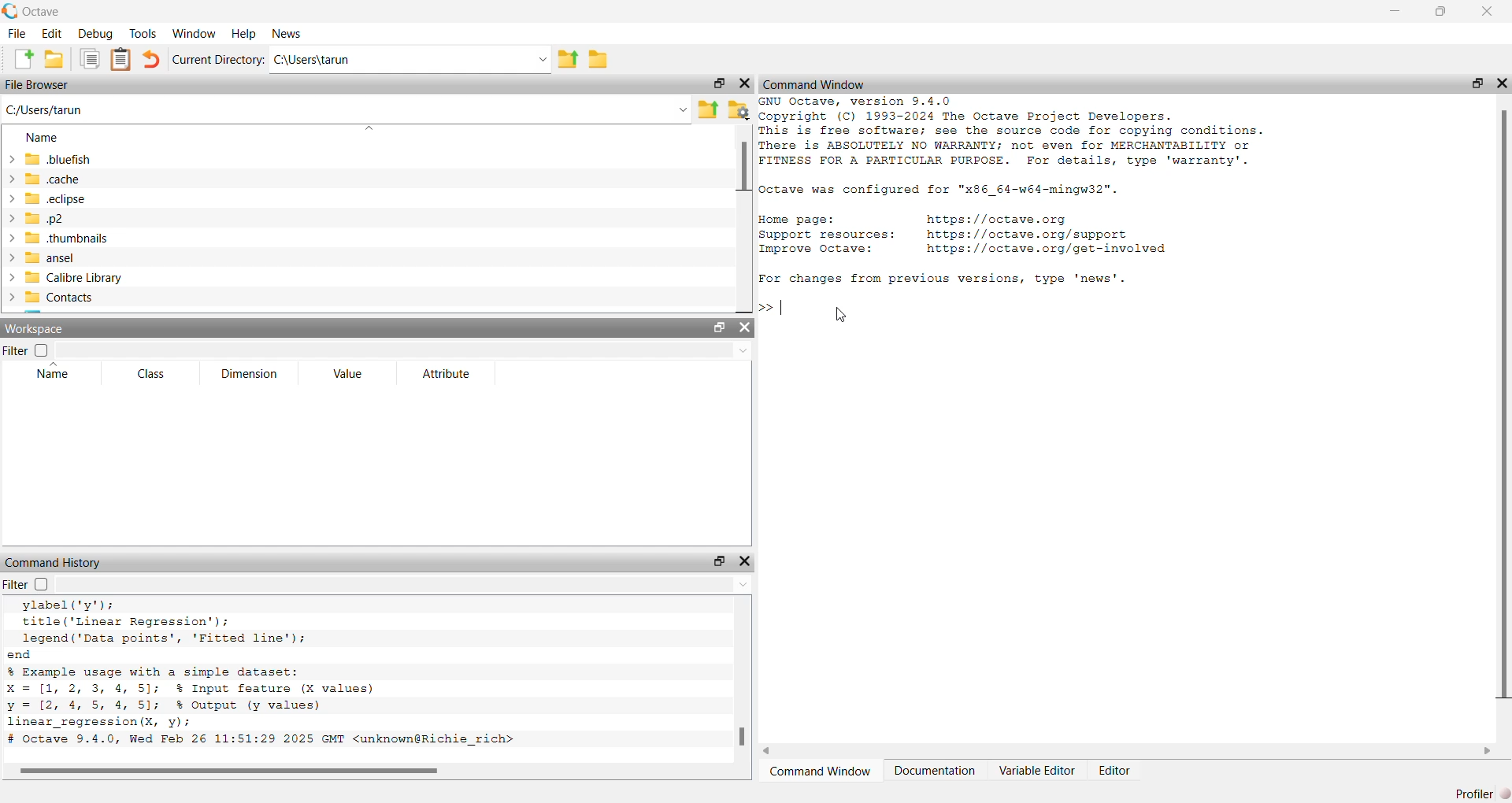 Image resolution: width=1512 pixels, height=803 pixels. What do you see at coordinates (50, 9) in the screenshot?
I see `octave` at bounding box center [50, 9].